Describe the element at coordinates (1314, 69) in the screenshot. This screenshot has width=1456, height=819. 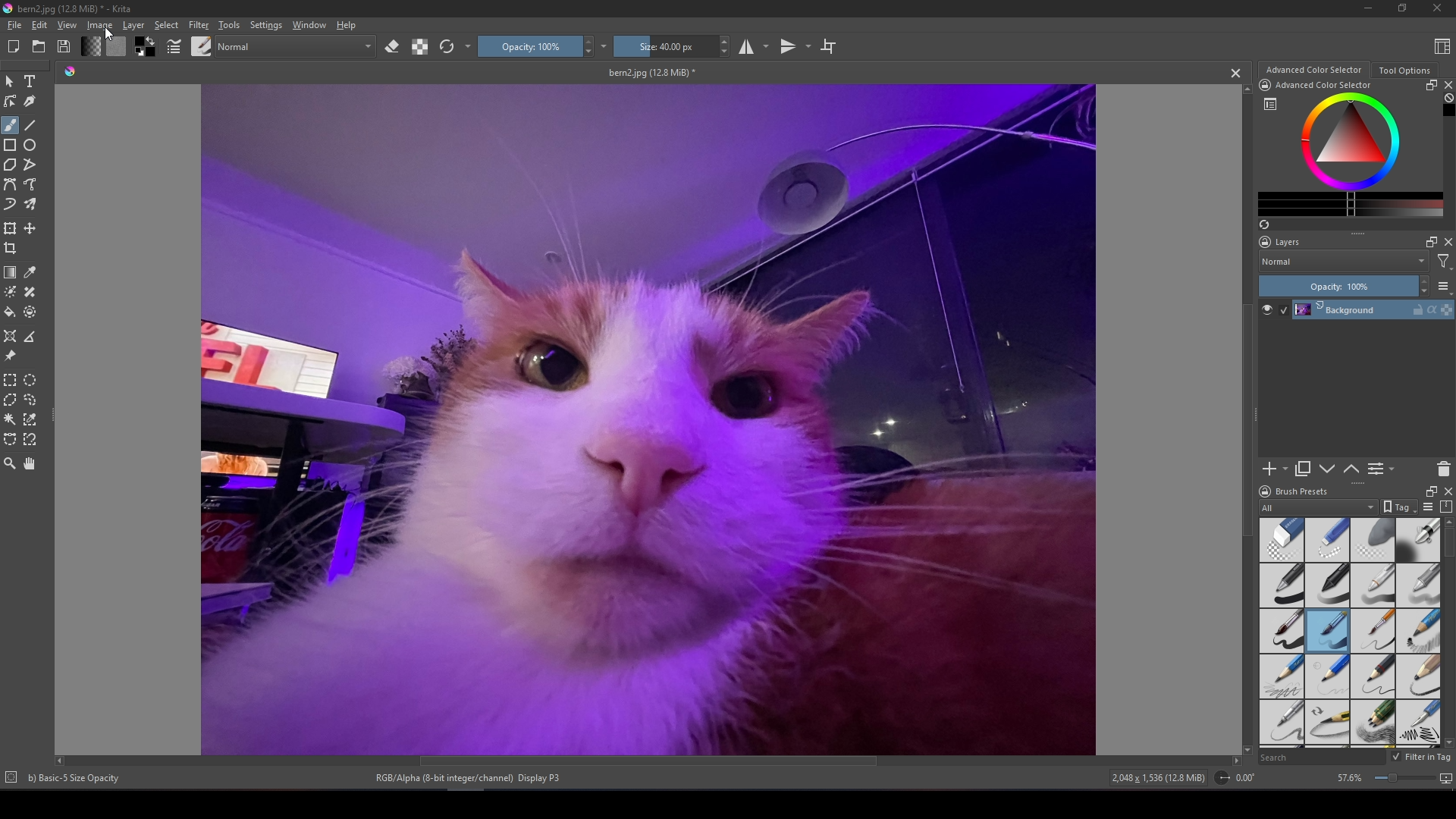
I see `Advanced color selector` at that location.